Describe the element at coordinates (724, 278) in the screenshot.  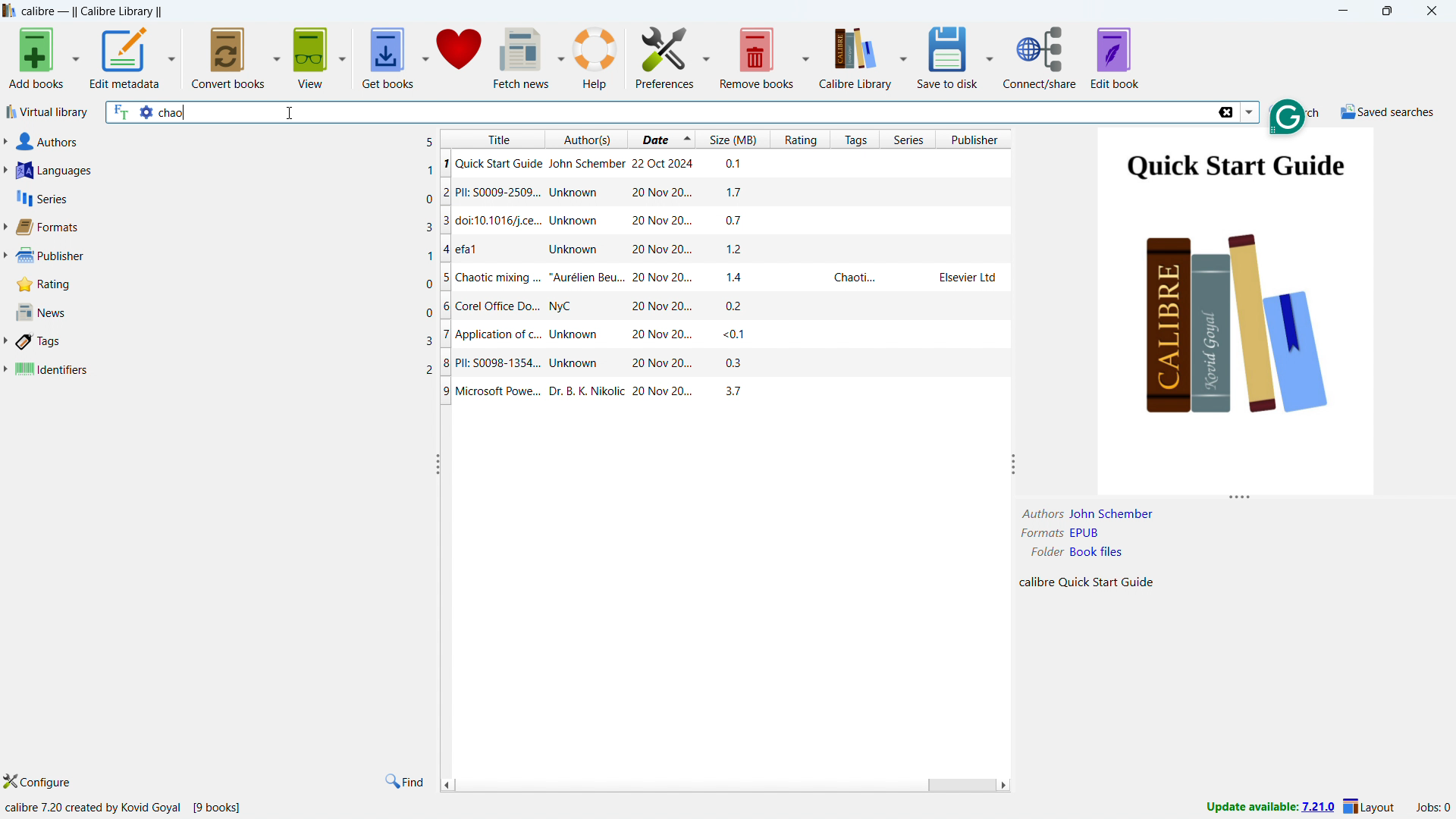
I see `Chaotic mixing ...` at that location.